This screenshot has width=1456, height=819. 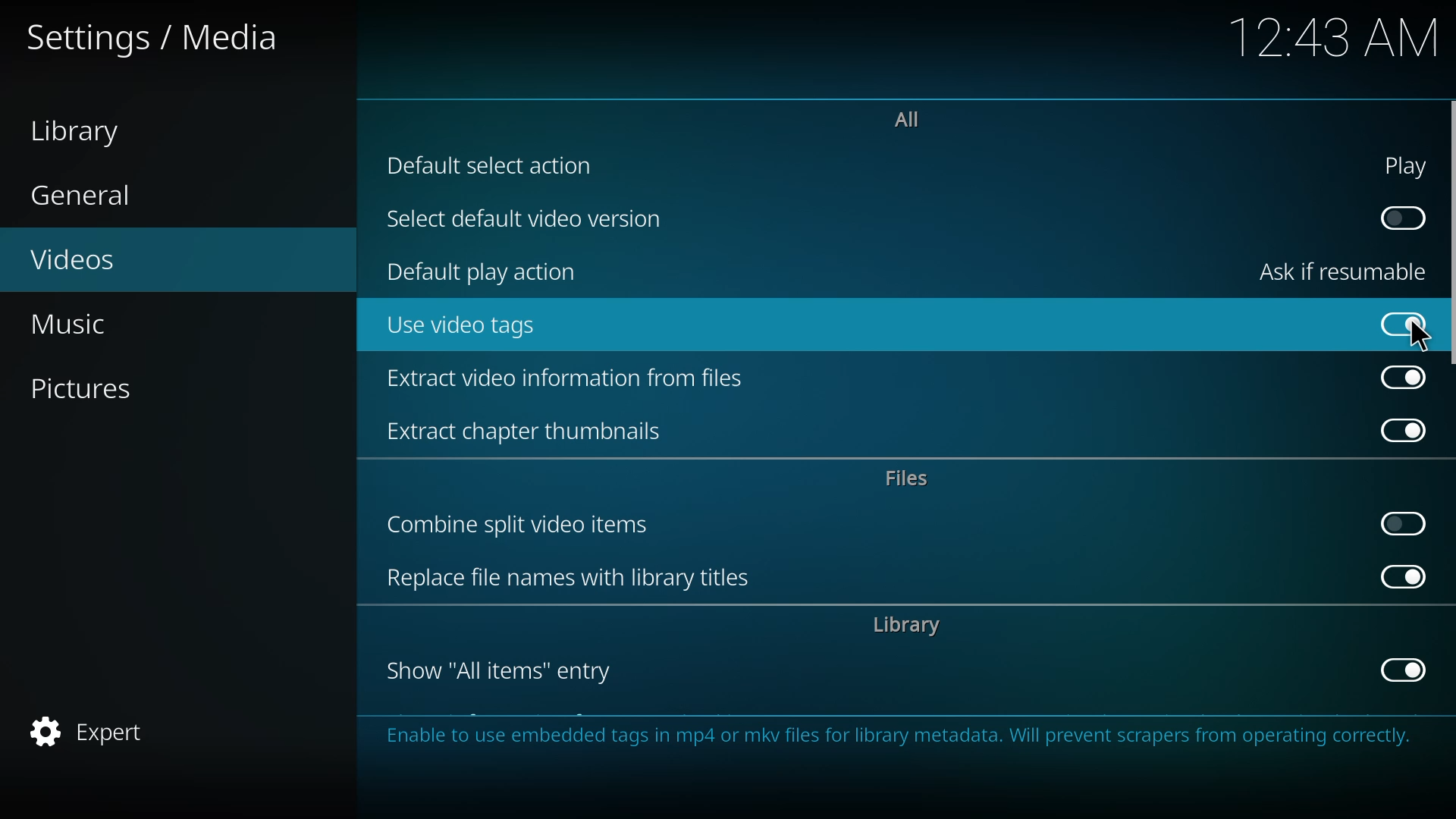 What do you see at coordinates (571, 577) in the screenshot?
I see `replace file names` at bounding box center [571, 577].